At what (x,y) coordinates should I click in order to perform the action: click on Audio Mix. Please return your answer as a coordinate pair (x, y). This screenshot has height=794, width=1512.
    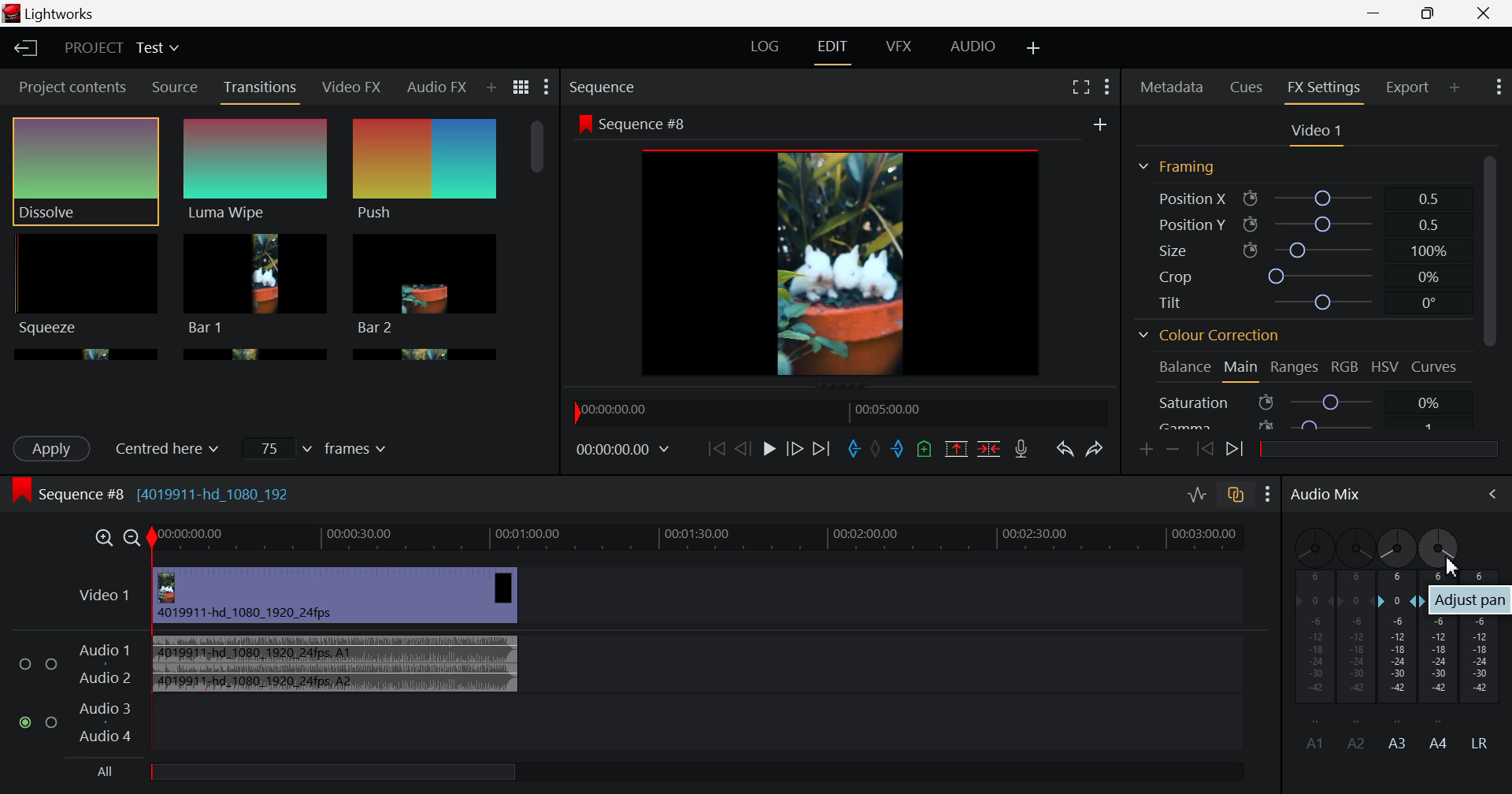
    Looking at the image, I should click on (1324, 497).